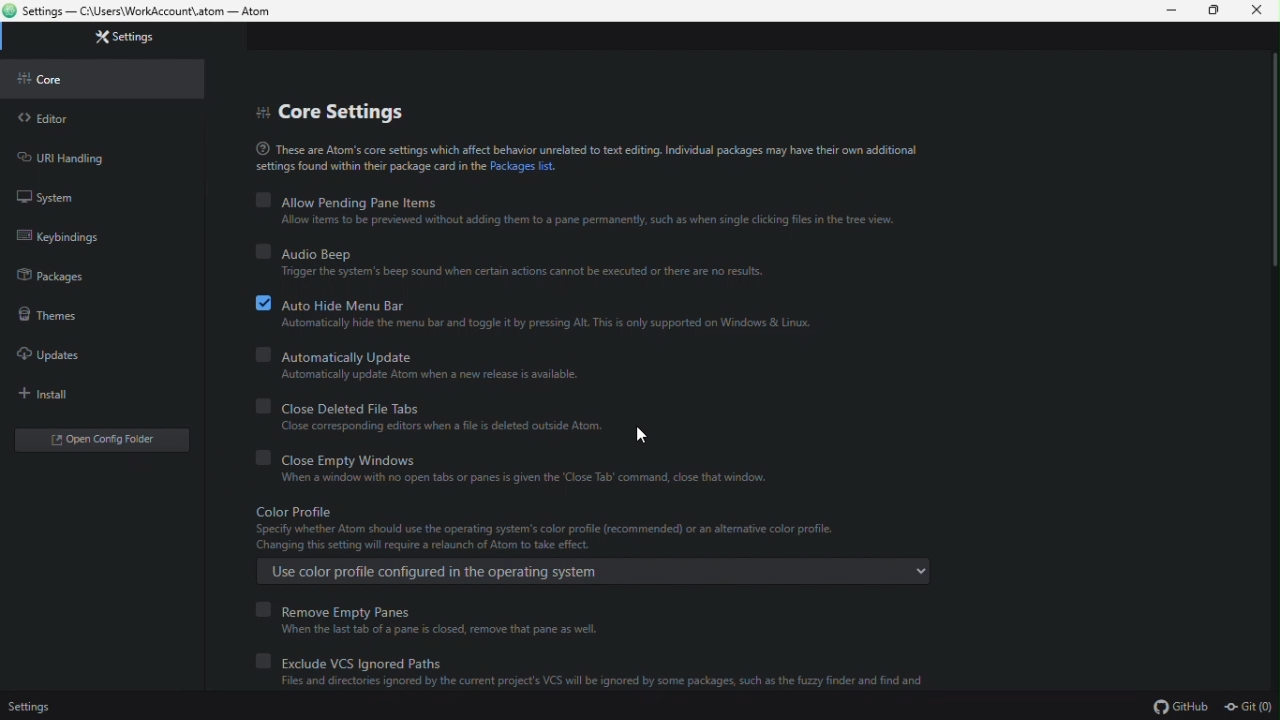  Describe the element at coordinates (636, 431) in the screenshot. I see `cursor` at that location.